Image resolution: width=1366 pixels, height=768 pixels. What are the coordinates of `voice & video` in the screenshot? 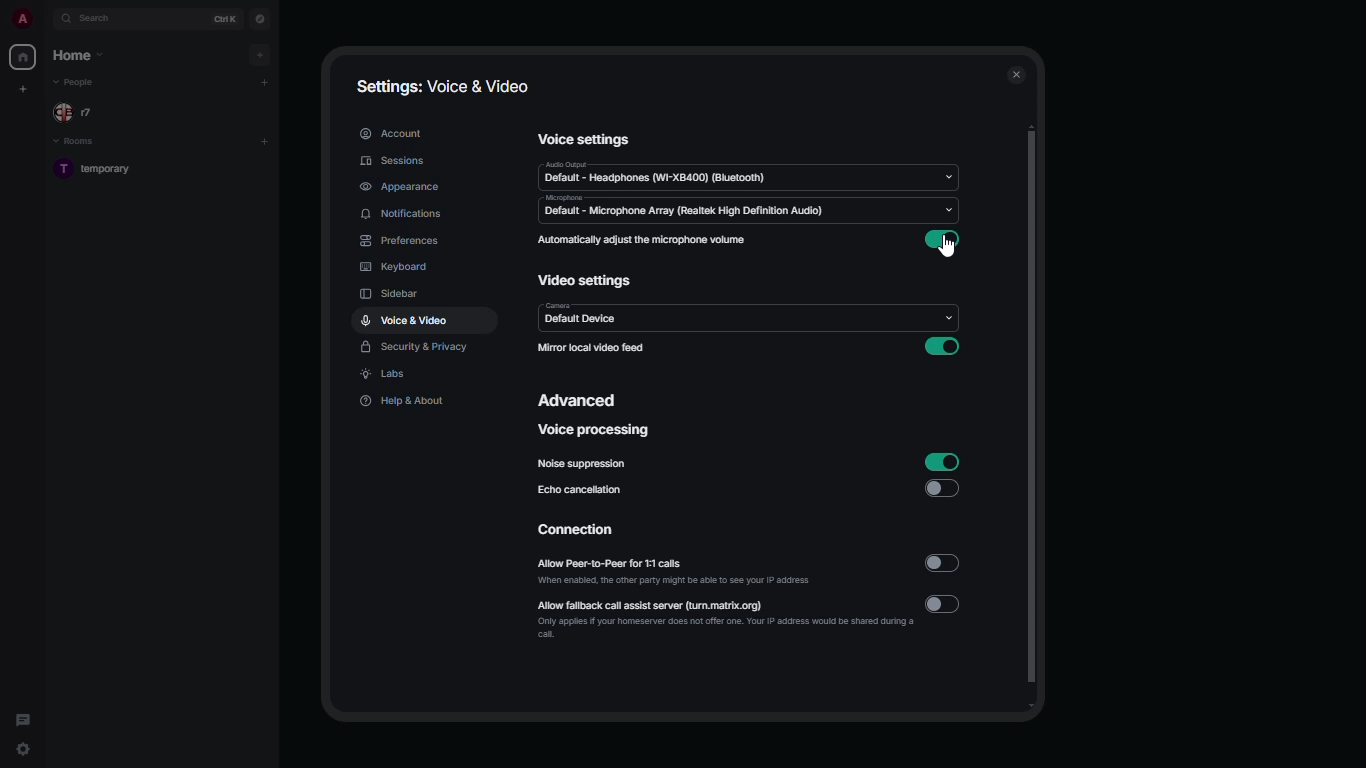 It's located at (405, 320).